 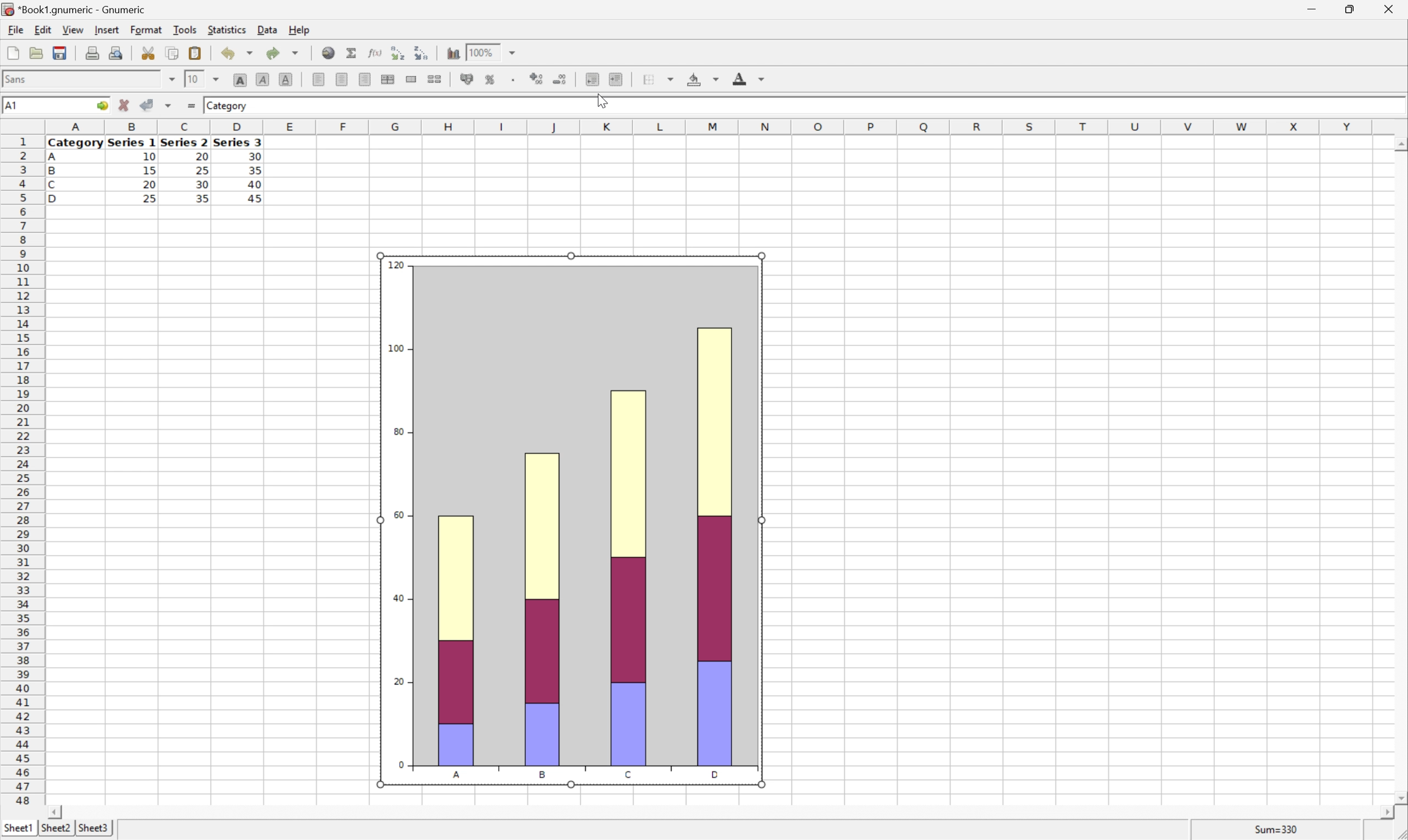 I want to click on Statistics, so click(x=228, y=30).